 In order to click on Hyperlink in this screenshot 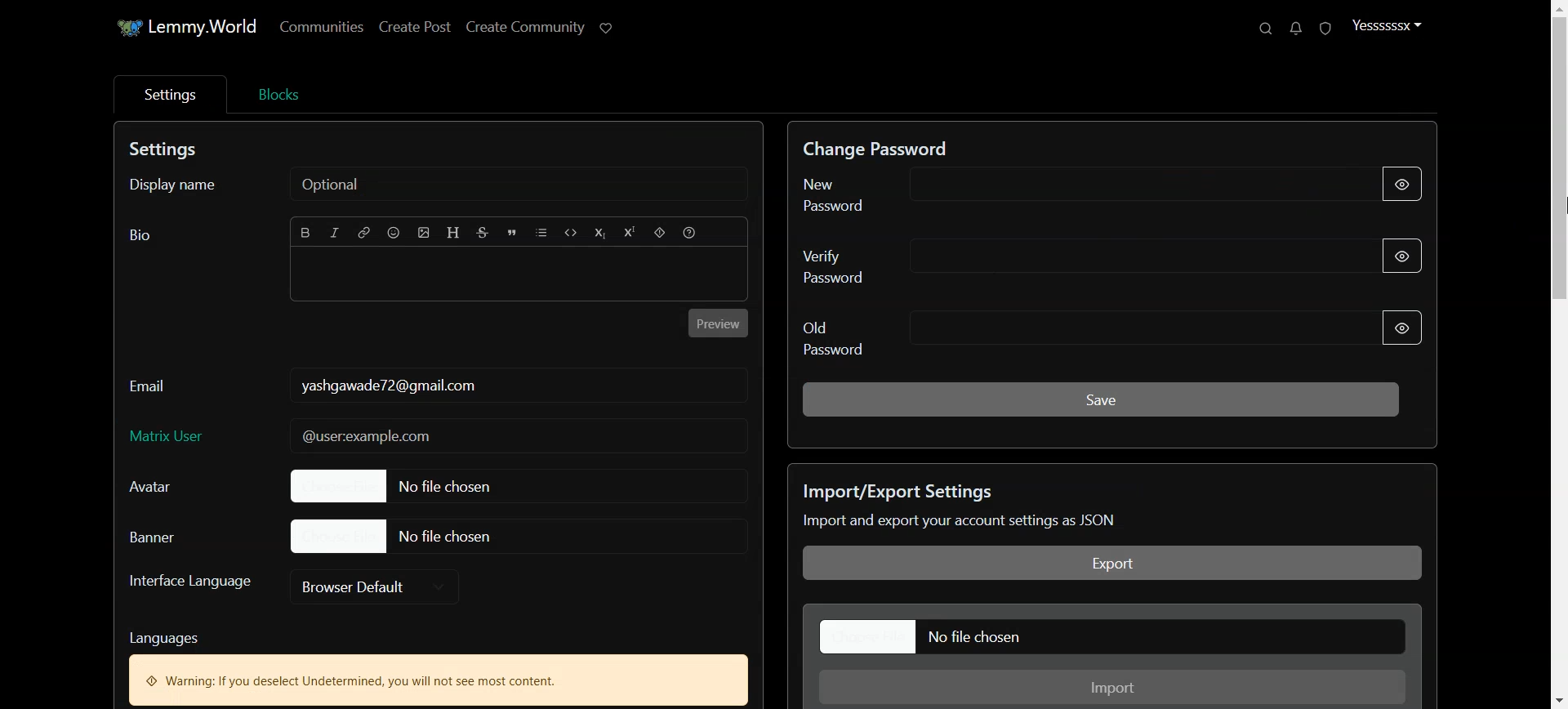, I will do `click(363, 233)`.